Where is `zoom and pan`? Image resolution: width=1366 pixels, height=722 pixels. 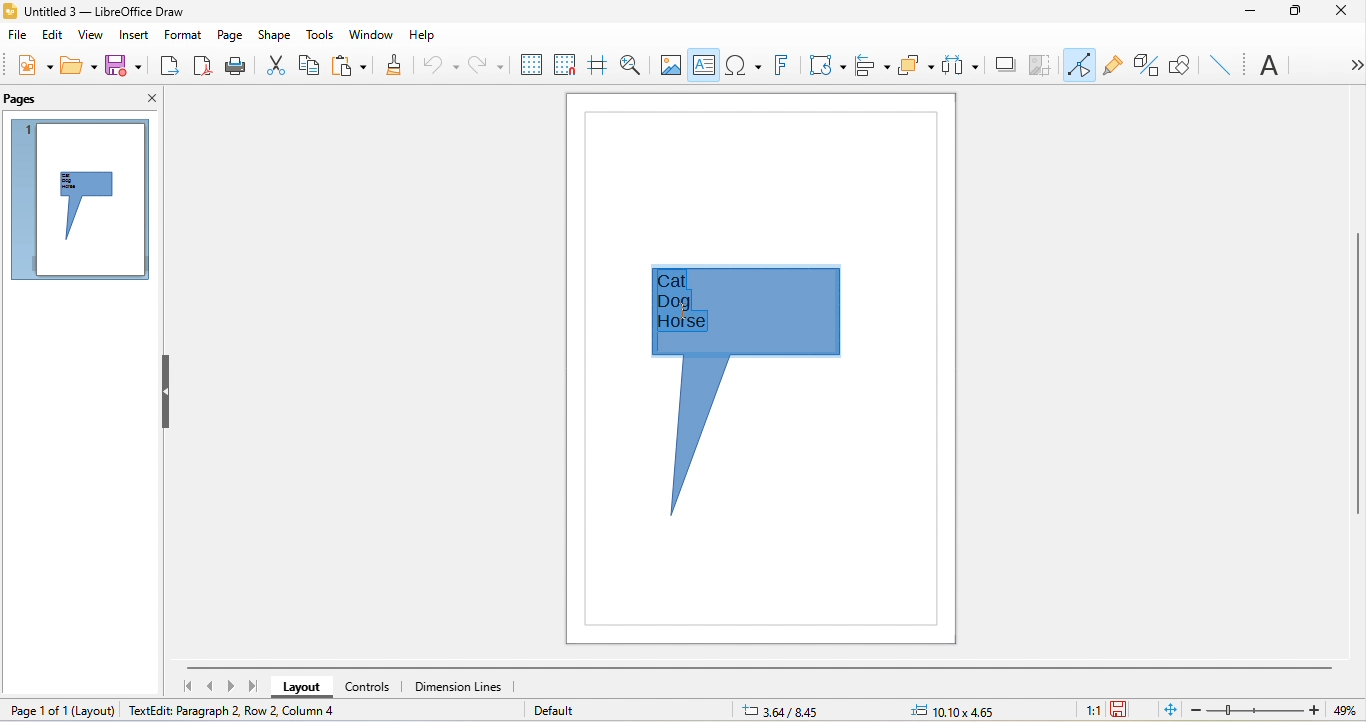 zoom and pan is located at coordinates (634, 66).